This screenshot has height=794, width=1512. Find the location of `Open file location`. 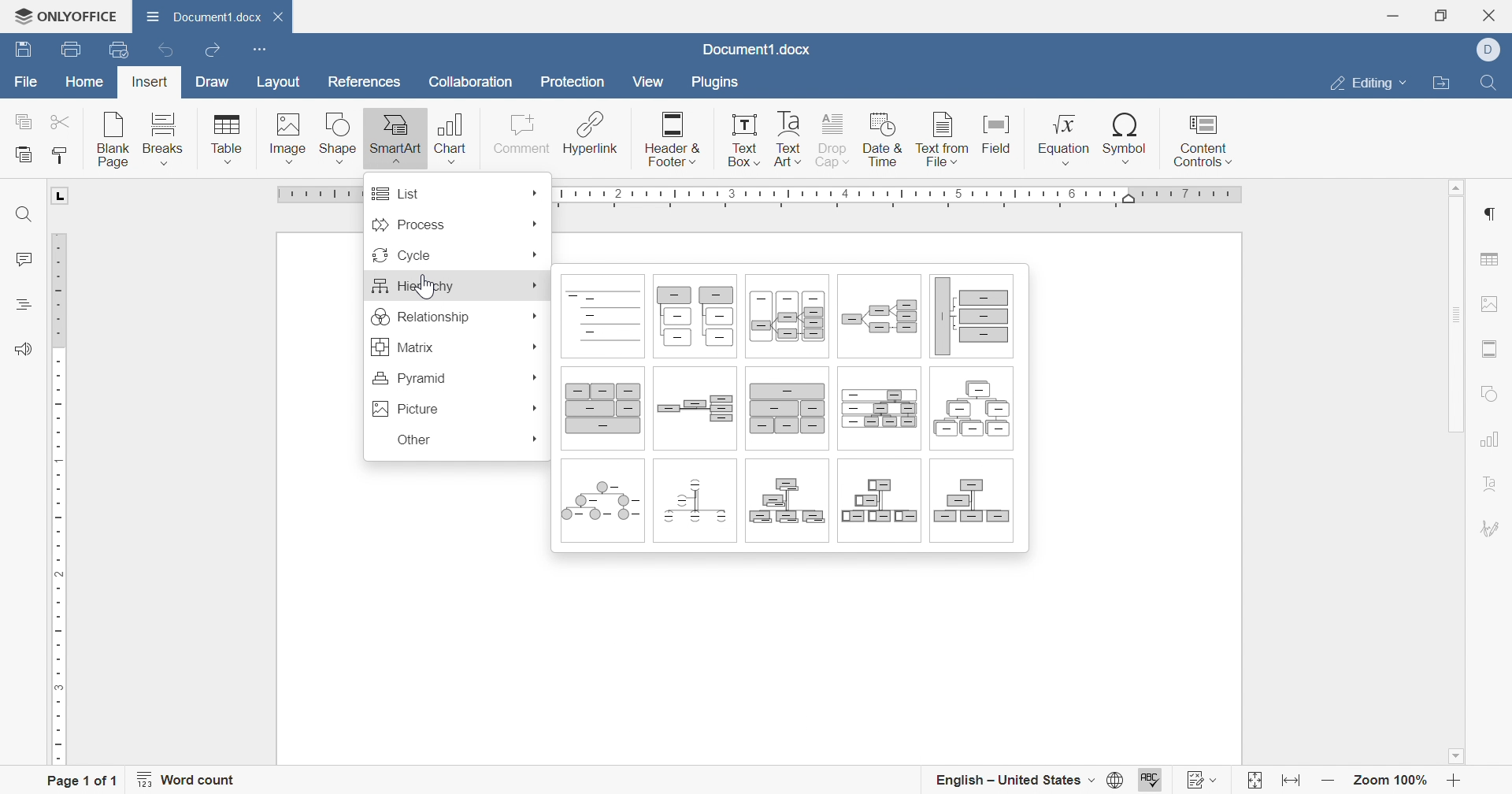

Open file location is located at coordinates (1439, 83).